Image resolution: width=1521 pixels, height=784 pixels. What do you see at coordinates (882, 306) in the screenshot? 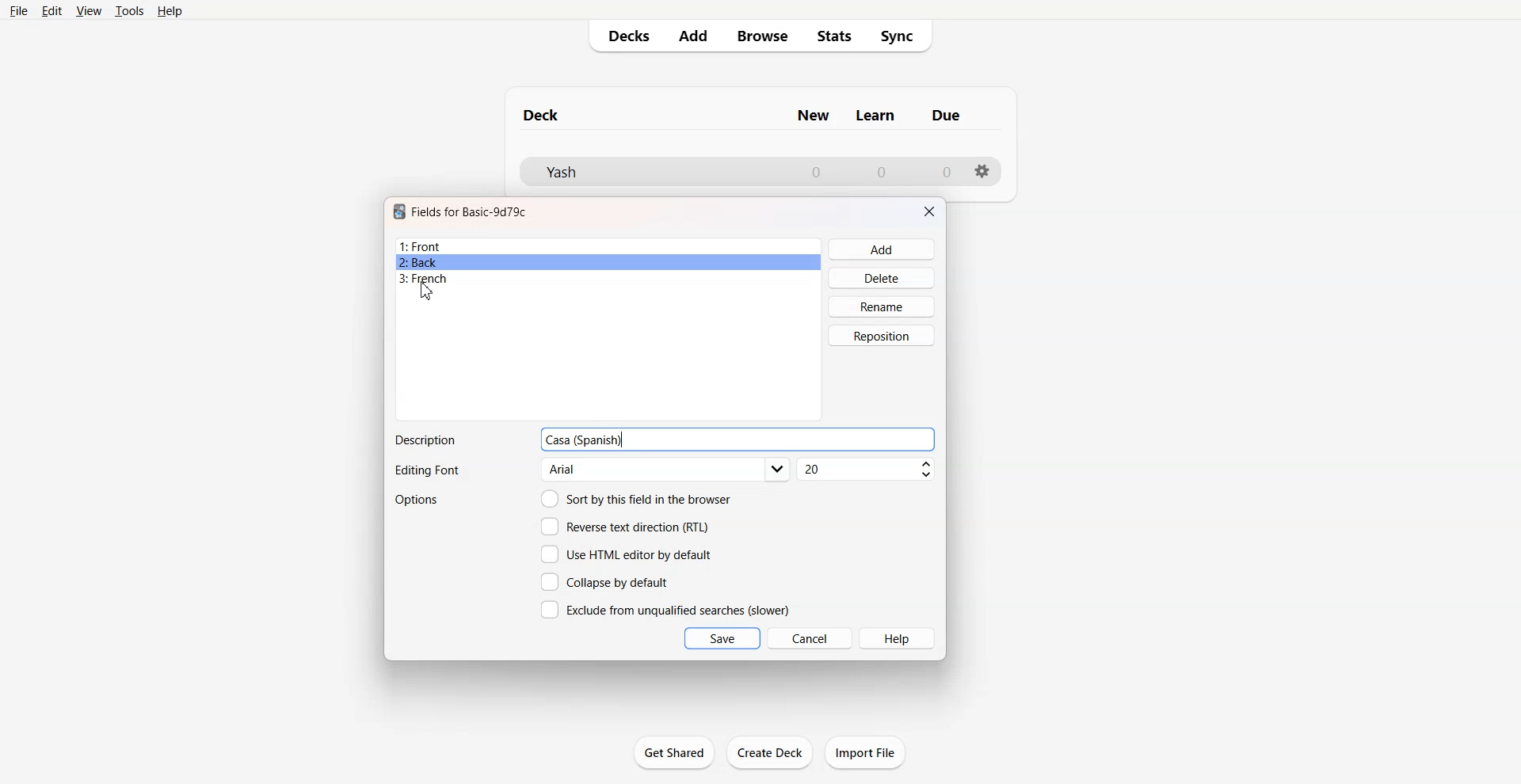
I see `Rename` at bounding box center [882, 306].